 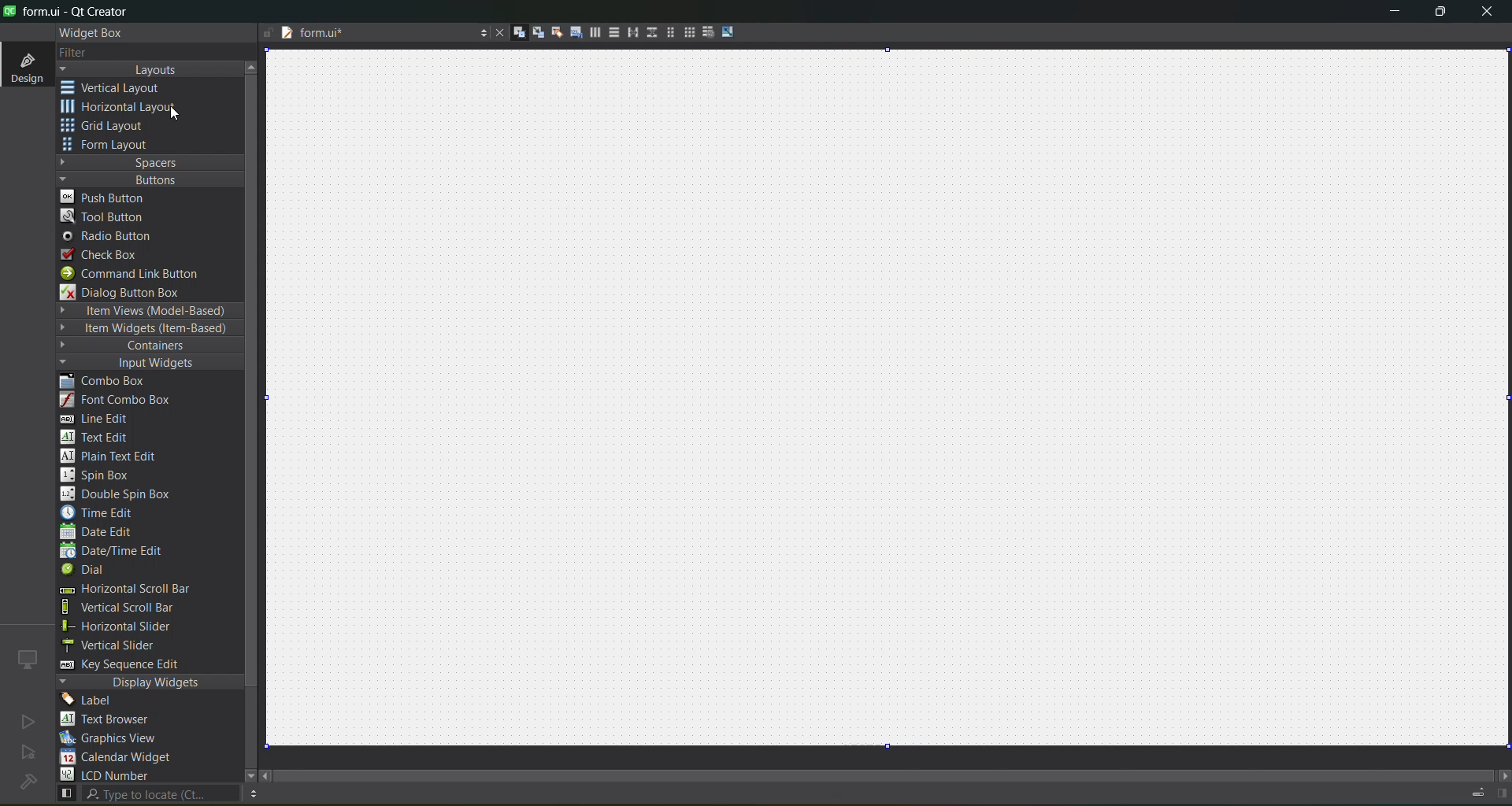 What do you see at coordinates (684, 32) in the screenshot?
I see `layout in a grid` at bounding box center [684, 32].